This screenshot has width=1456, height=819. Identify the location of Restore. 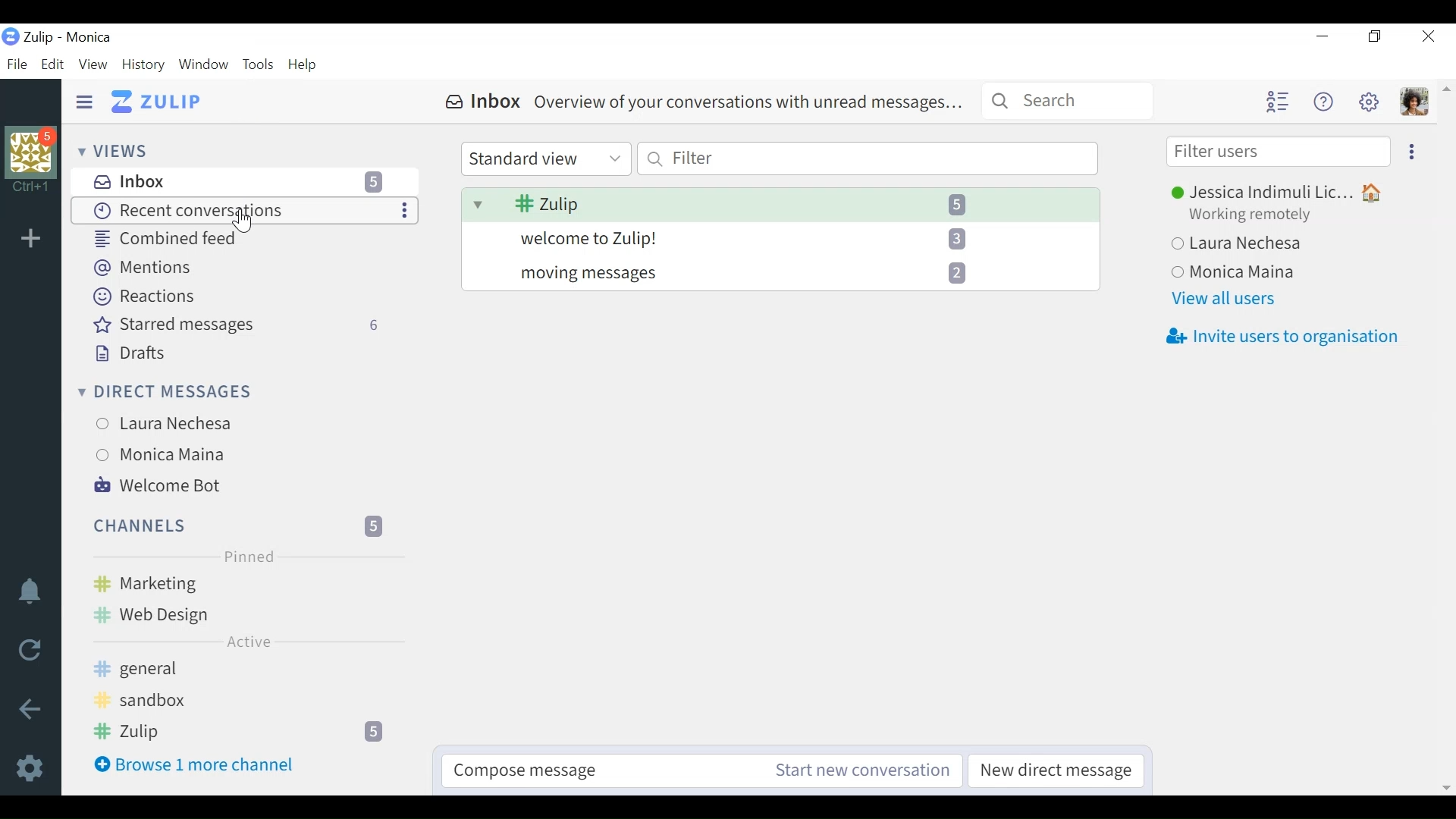
(1373, 37).